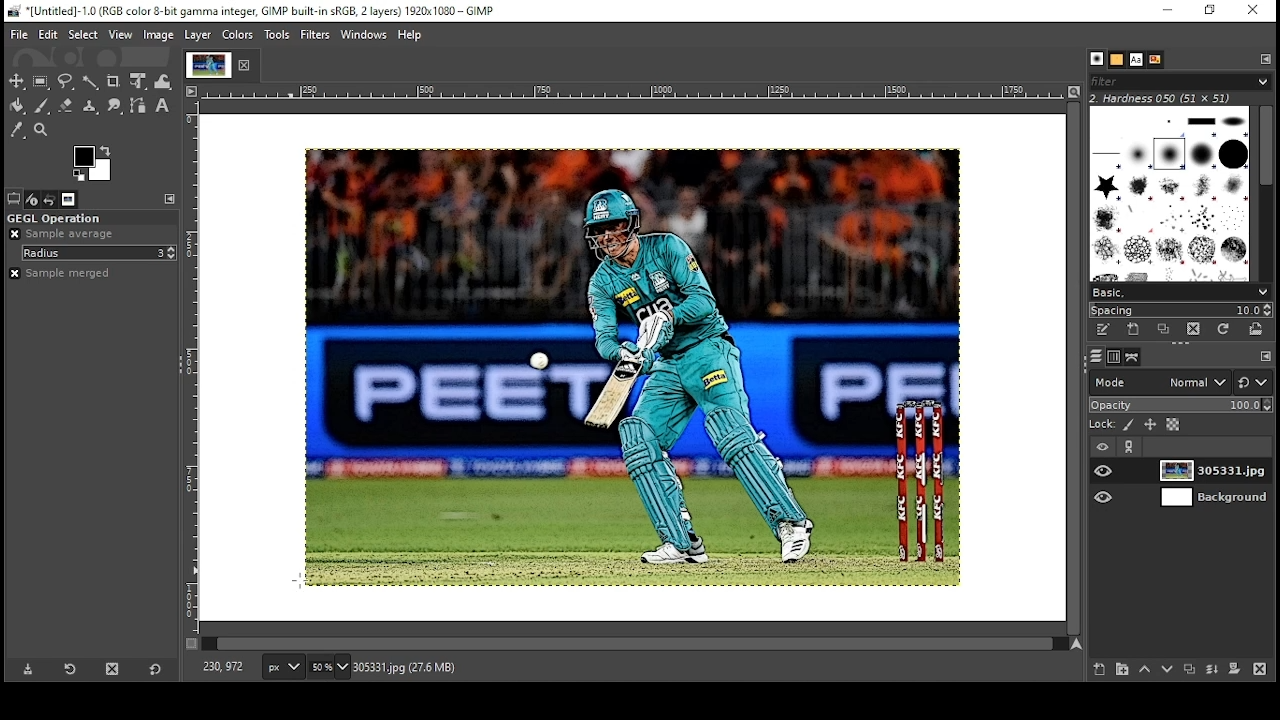 The width and height of the screenshot is (1280, 720). Describe the element at coordinates (412, 35) in the screenshot. I see `help` at that location.